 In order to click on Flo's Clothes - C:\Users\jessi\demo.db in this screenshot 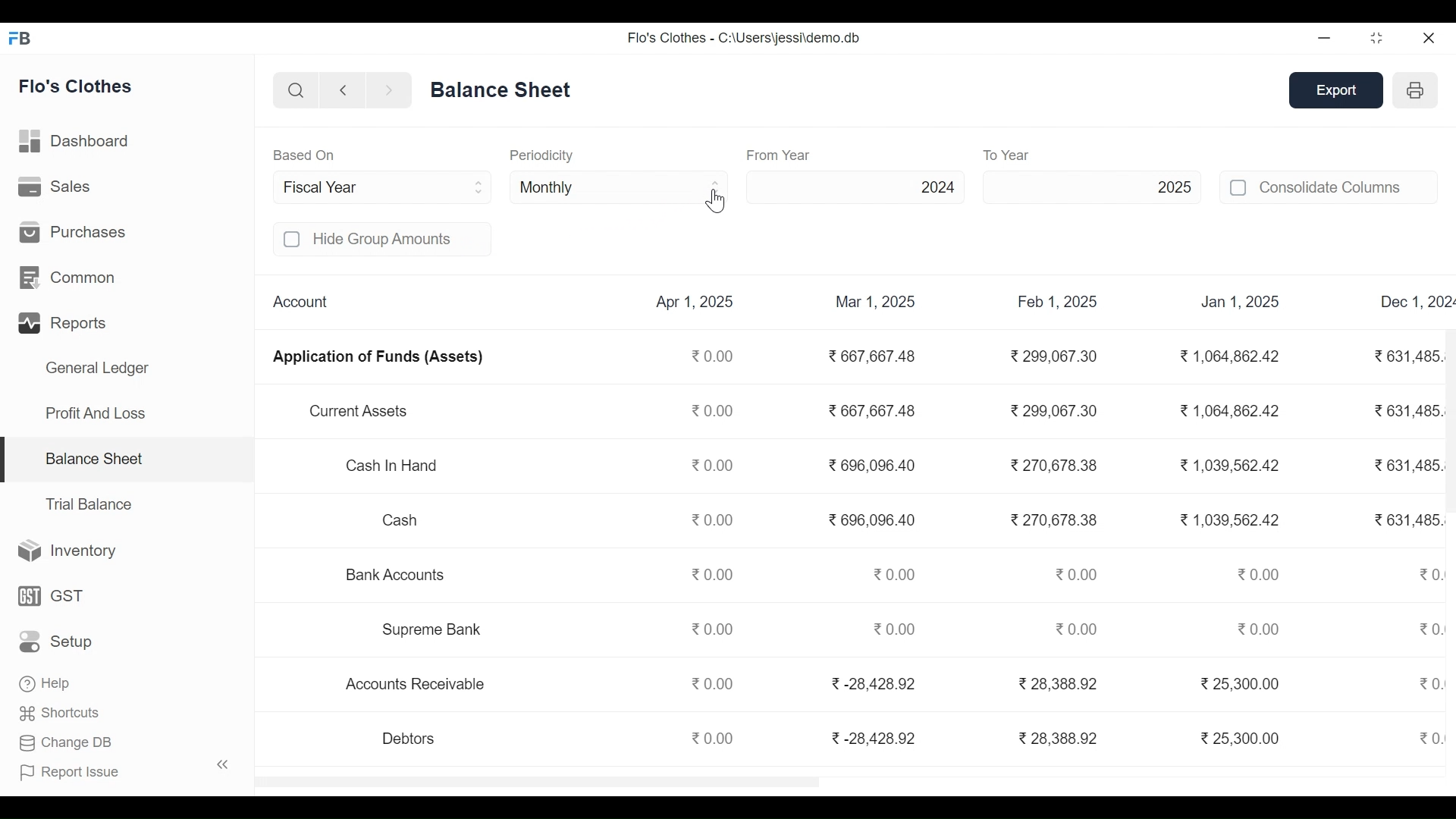, I will do `click(743, 38)`.